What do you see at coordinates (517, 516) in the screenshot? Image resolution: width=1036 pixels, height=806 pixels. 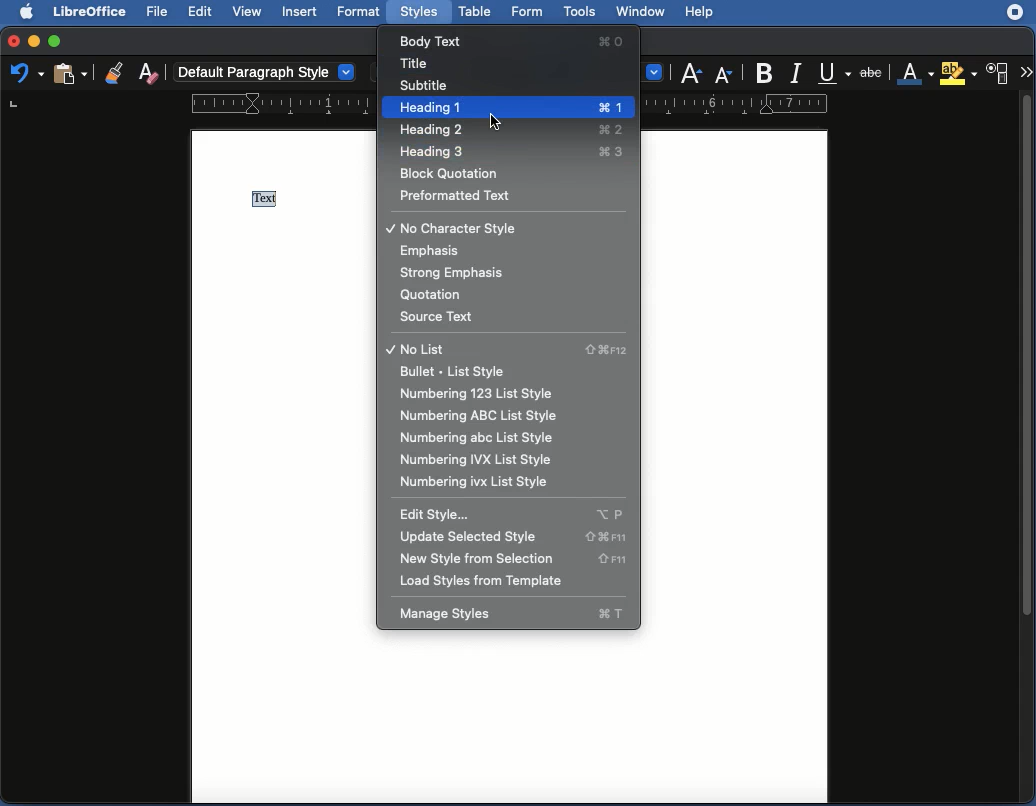 I see `Edit style` at bounding box center [517, 516].